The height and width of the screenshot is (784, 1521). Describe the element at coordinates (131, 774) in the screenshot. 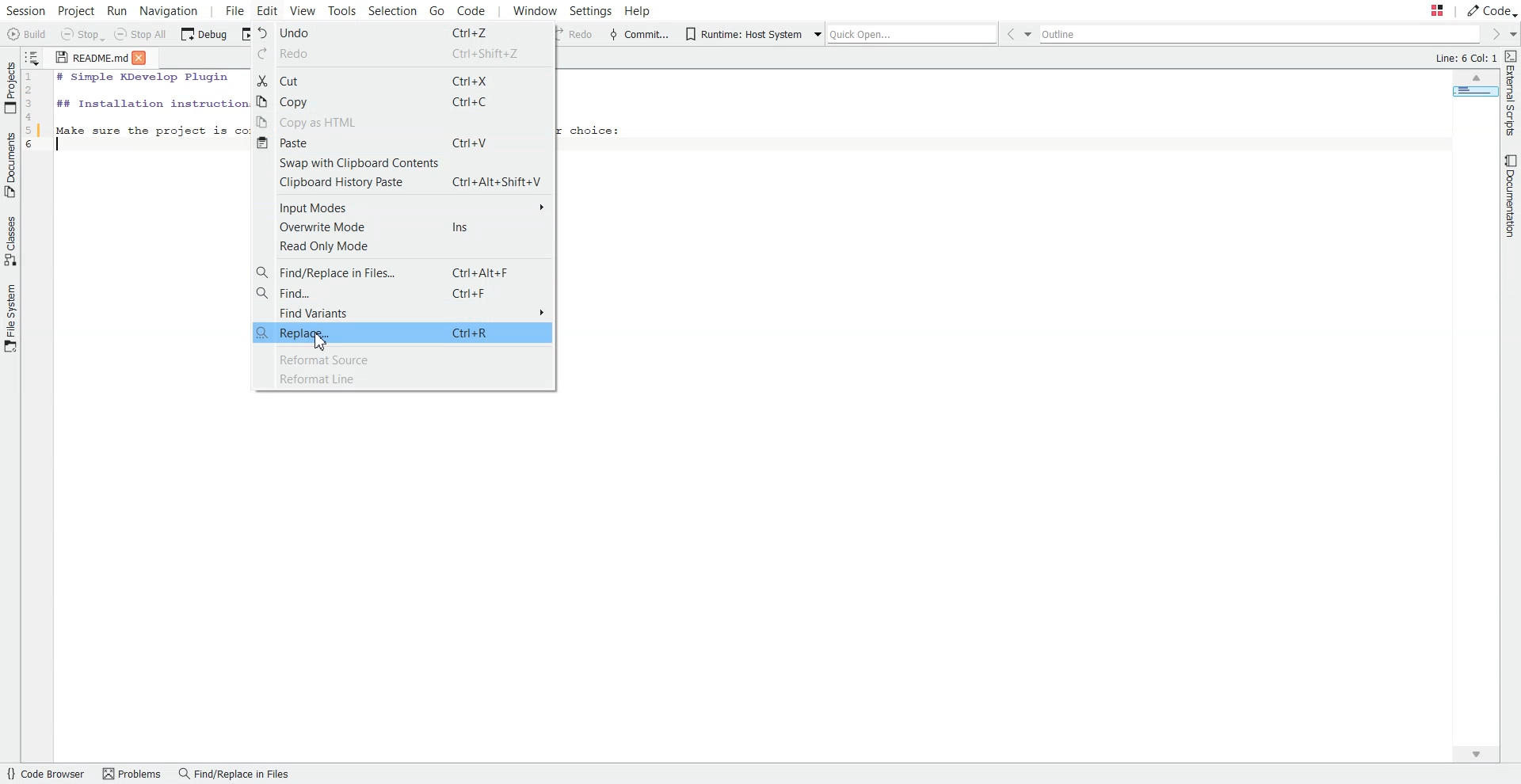

I see `Problems` at that location.